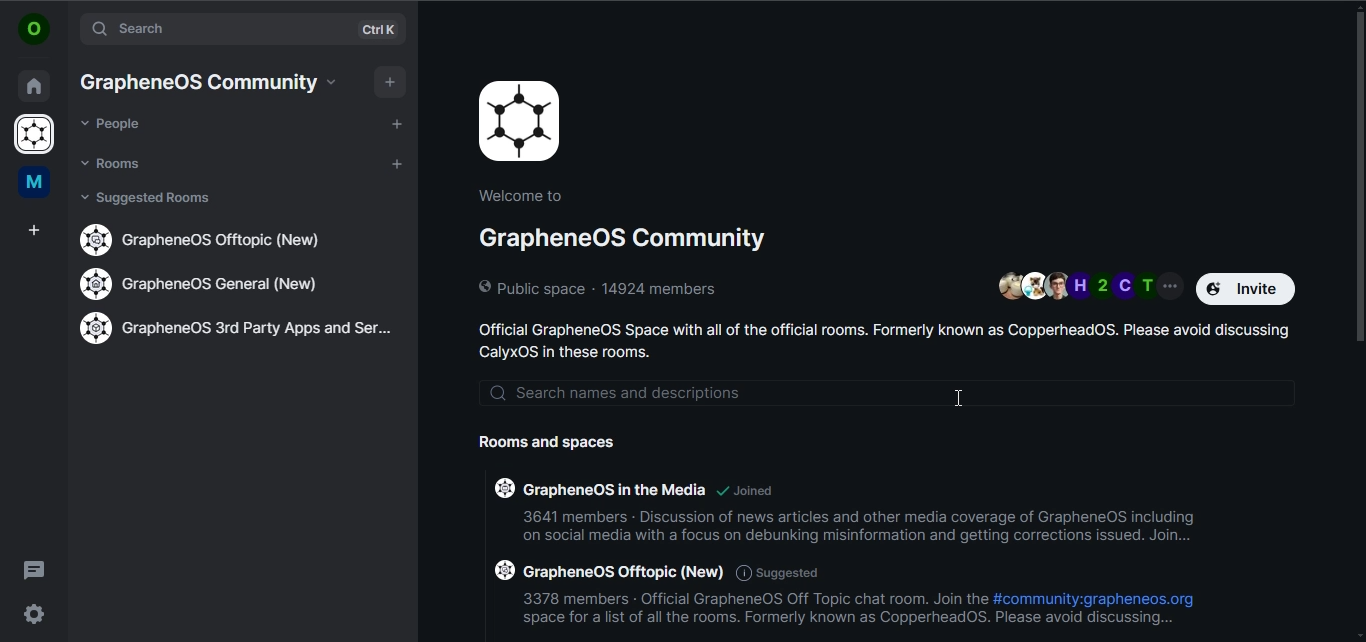 This screenshot has height=642, width=1366. I want to click on add , so click(397, 123).